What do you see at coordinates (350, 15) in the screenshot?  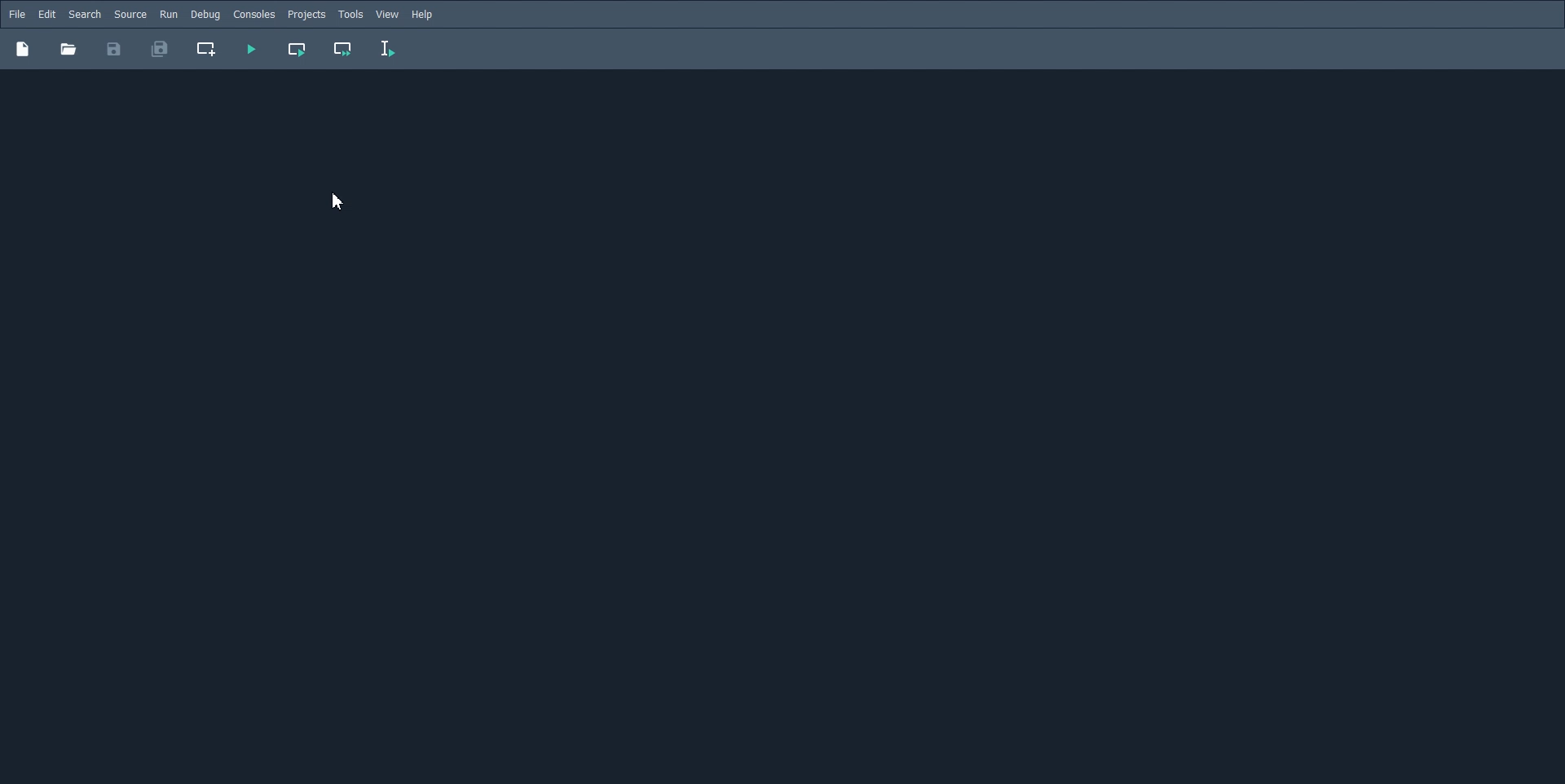 I see `Tools` at bounding box center [350, 15].